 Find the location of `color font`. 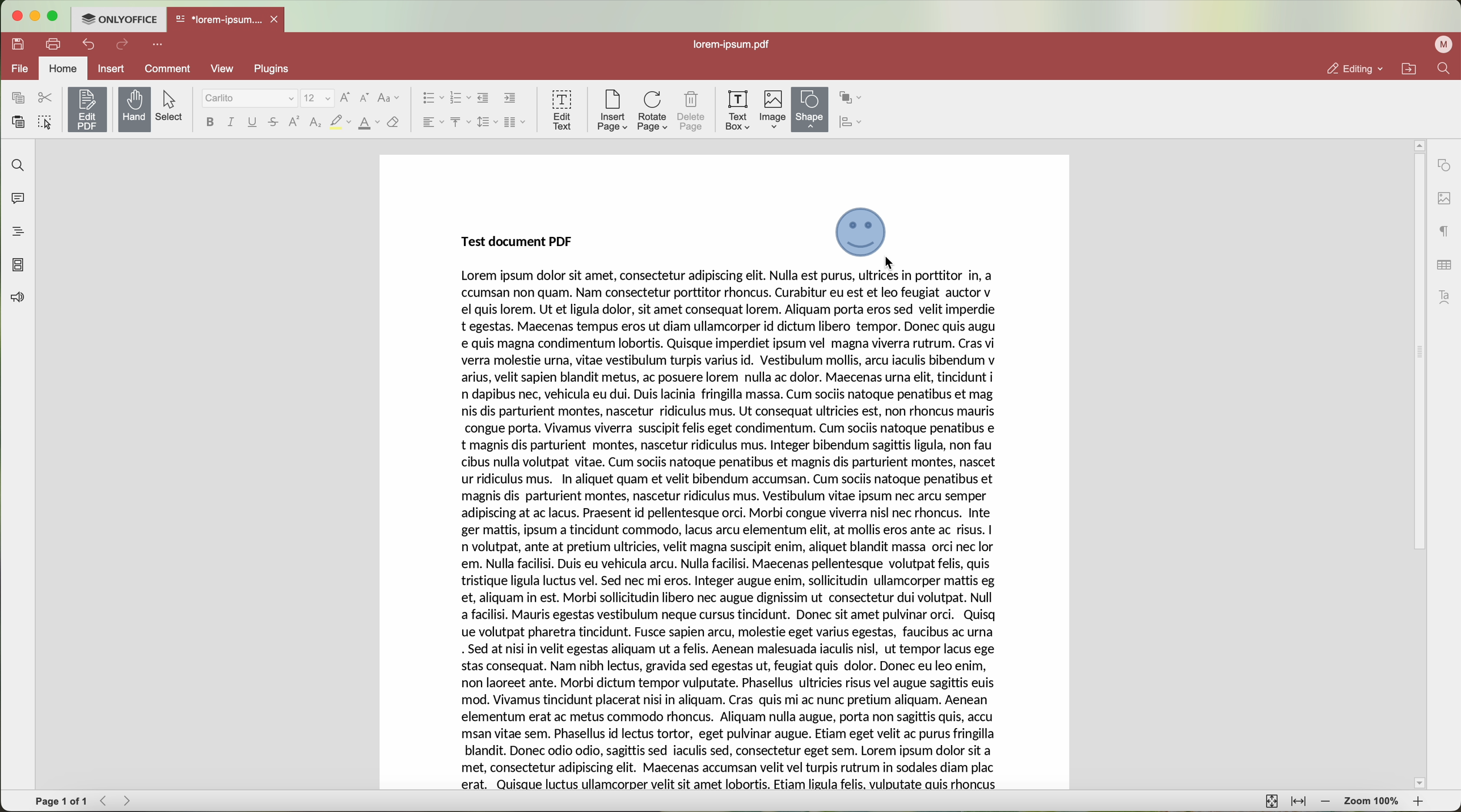

color font is located at coordinates (369, 123).